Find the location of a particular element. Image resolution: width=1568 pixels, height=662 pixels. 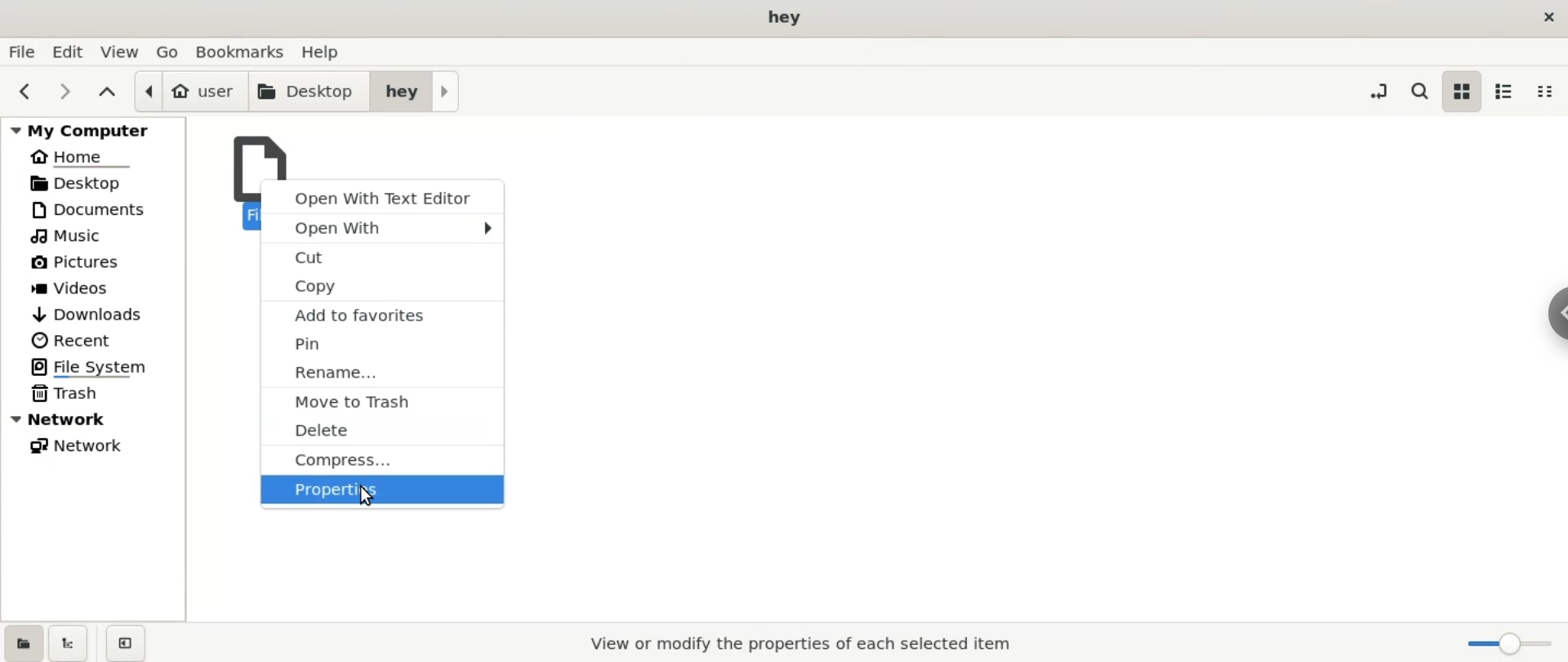

hey is located at coordinates (417, 92).